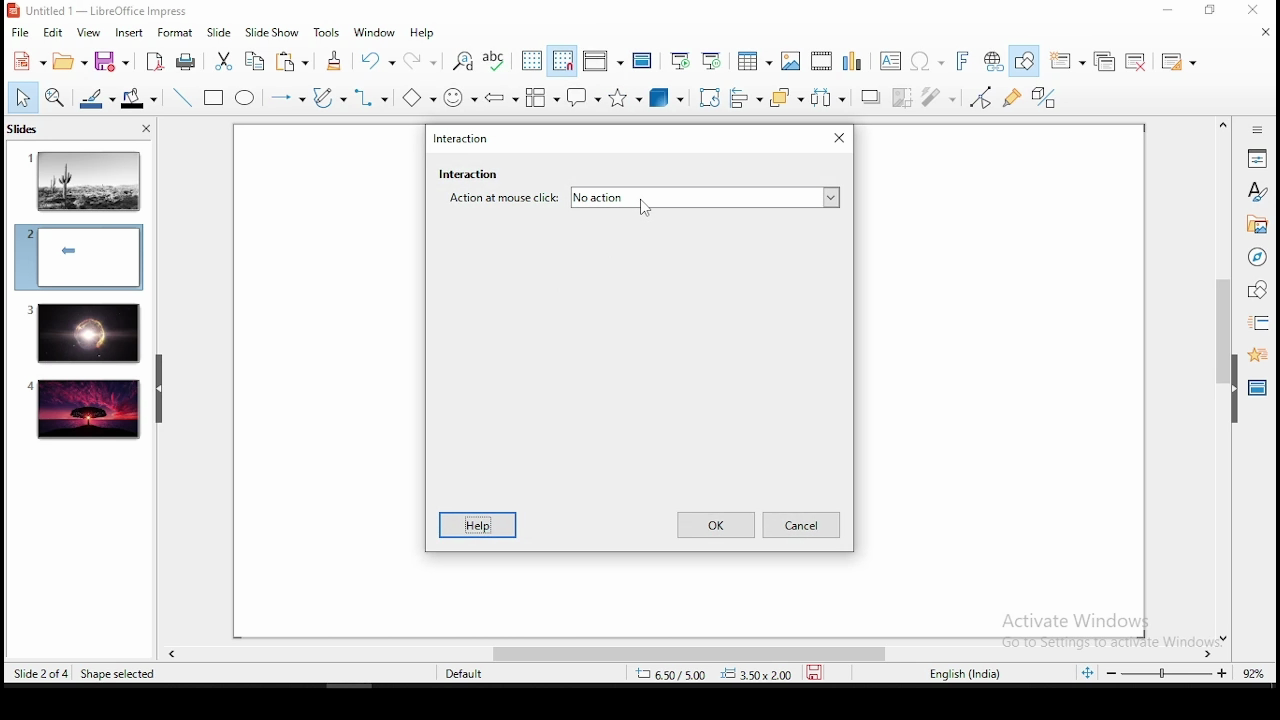  What do you see at coordinates (463, 59) in the screenshot?
I see `find and replace` at bounding box center [463, 59].